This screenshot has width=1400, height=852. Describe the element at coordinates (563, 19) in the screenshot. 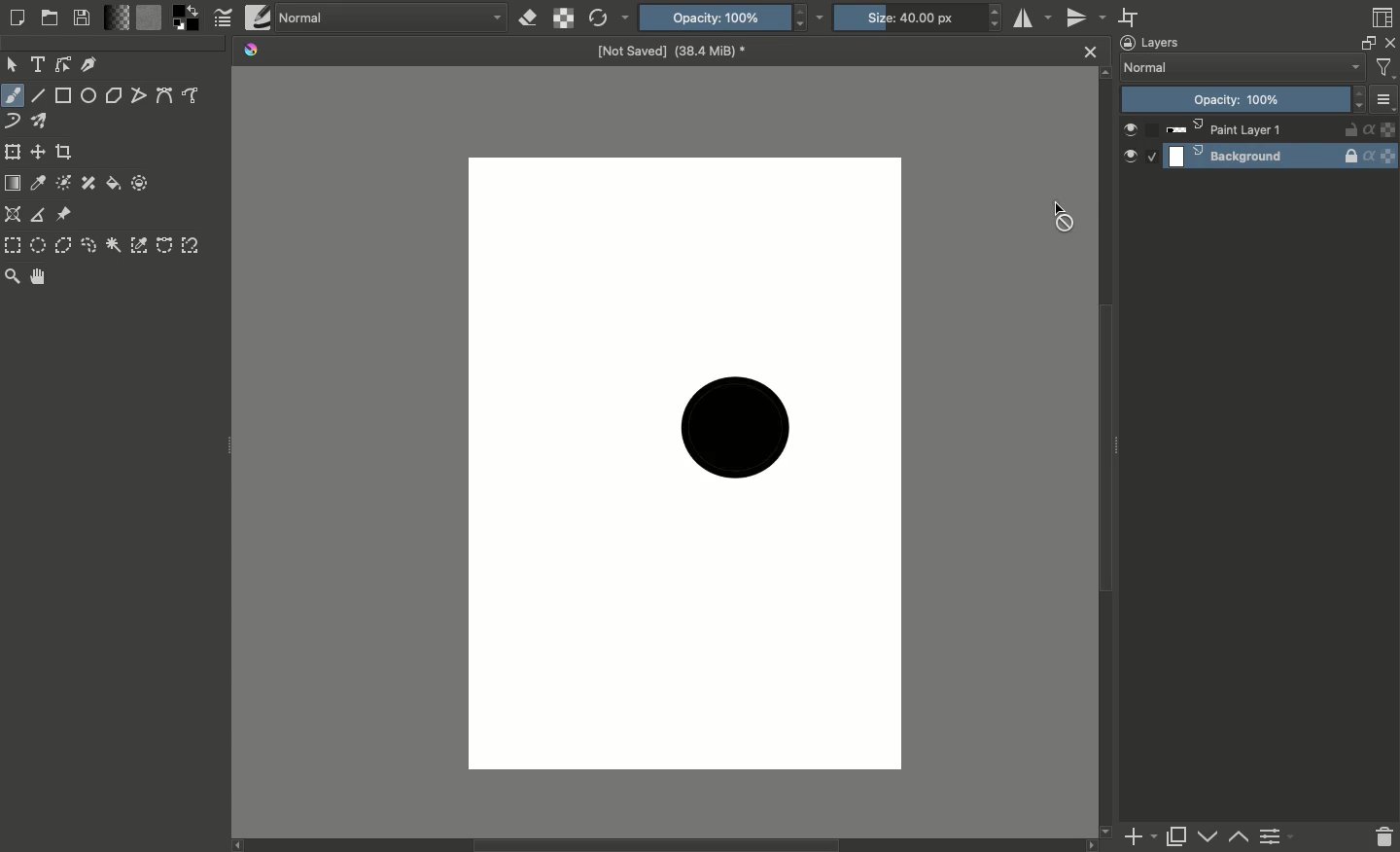

I see `Preserve alpha` at that location.